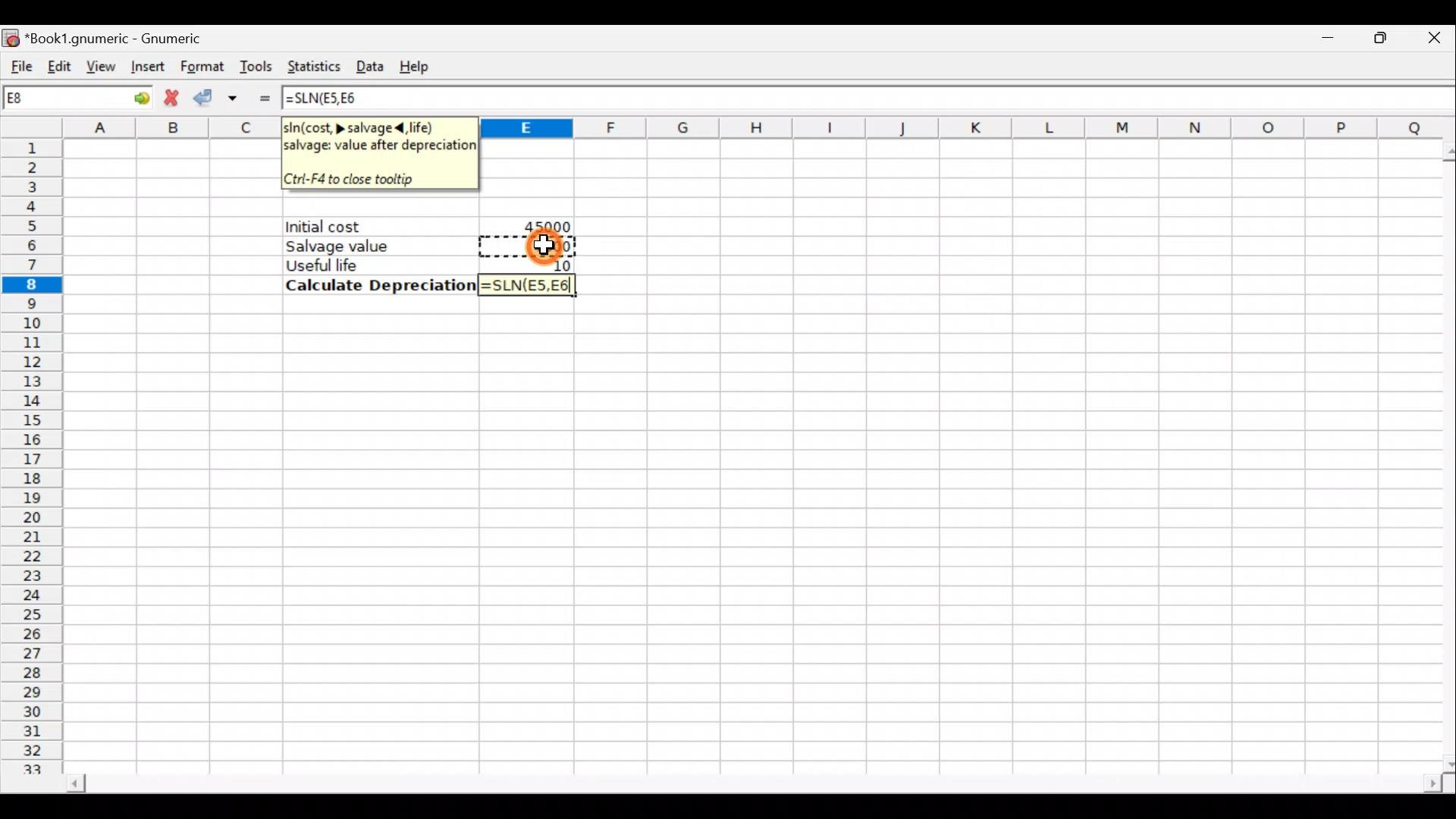 The image size is (1456, 819). What do you see at coordinates (60, 62) in the screenshot?
I see `Edit` at bounding box center [60, 62].